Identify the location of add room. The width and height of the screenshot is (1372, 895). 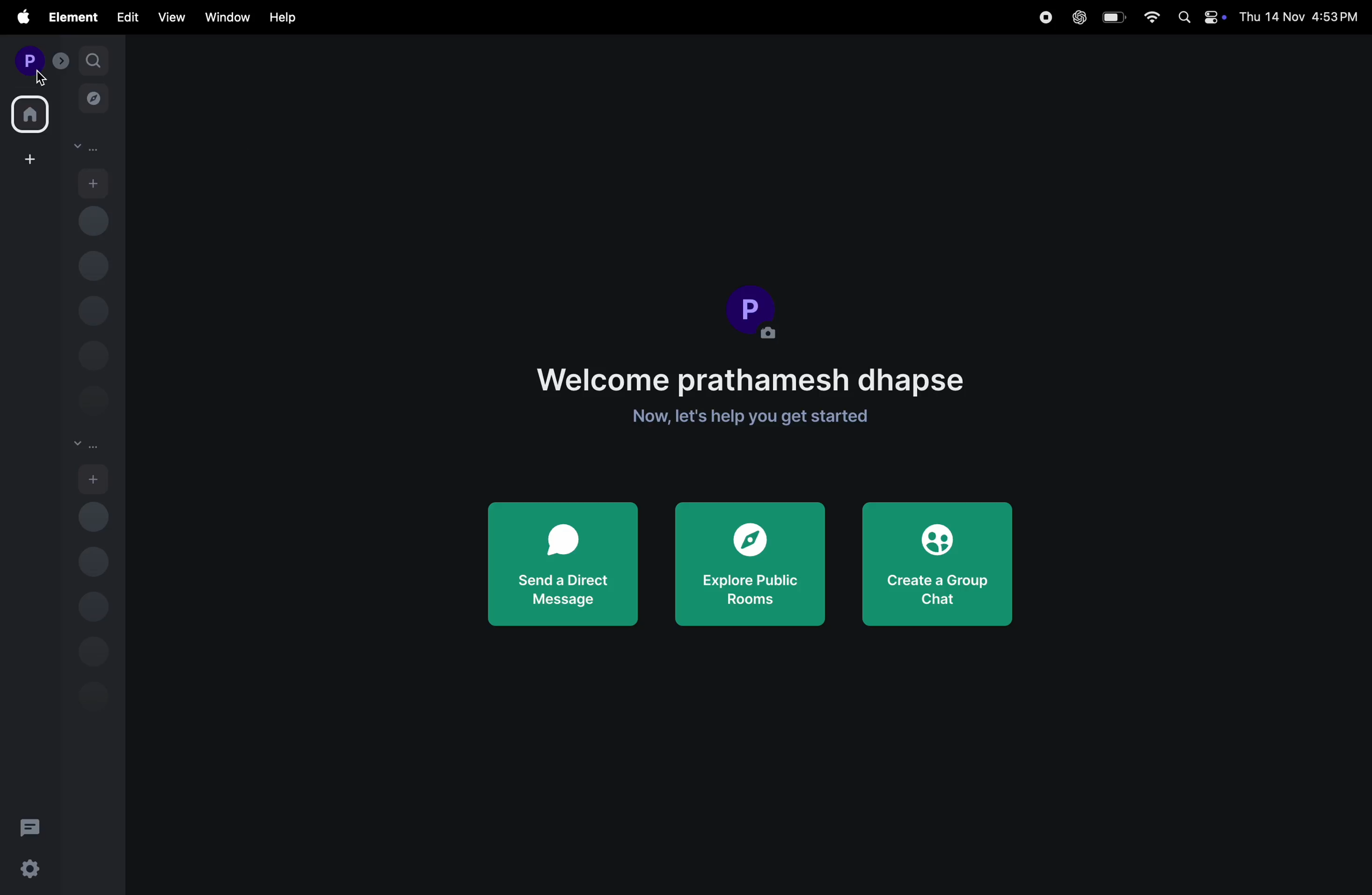
(96, 479).